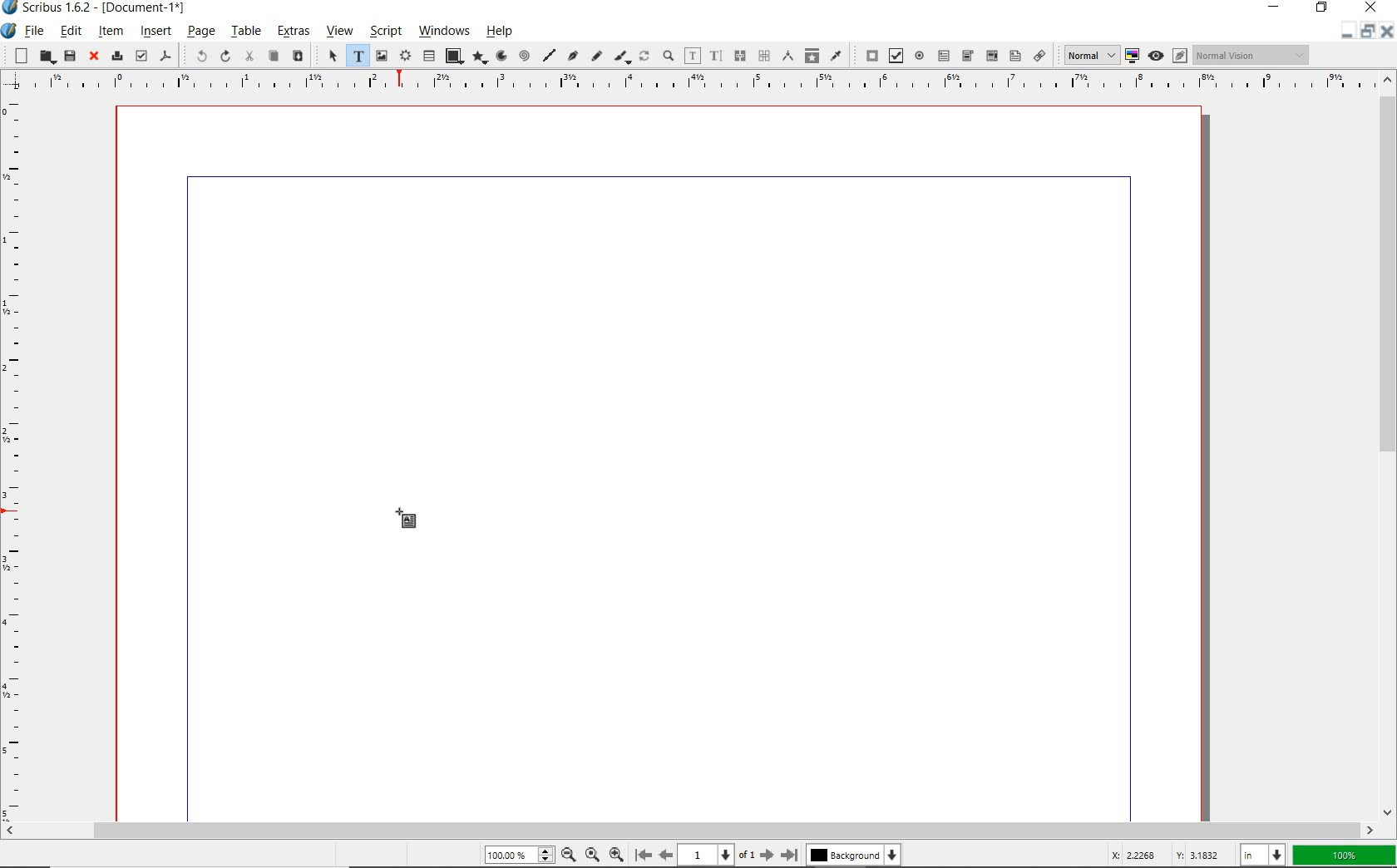 Image resolution: width=1397 pixels, height=868 pixels. Describe the element at coordinates (155, 32) in the screenshot. I see `insert` at that location.